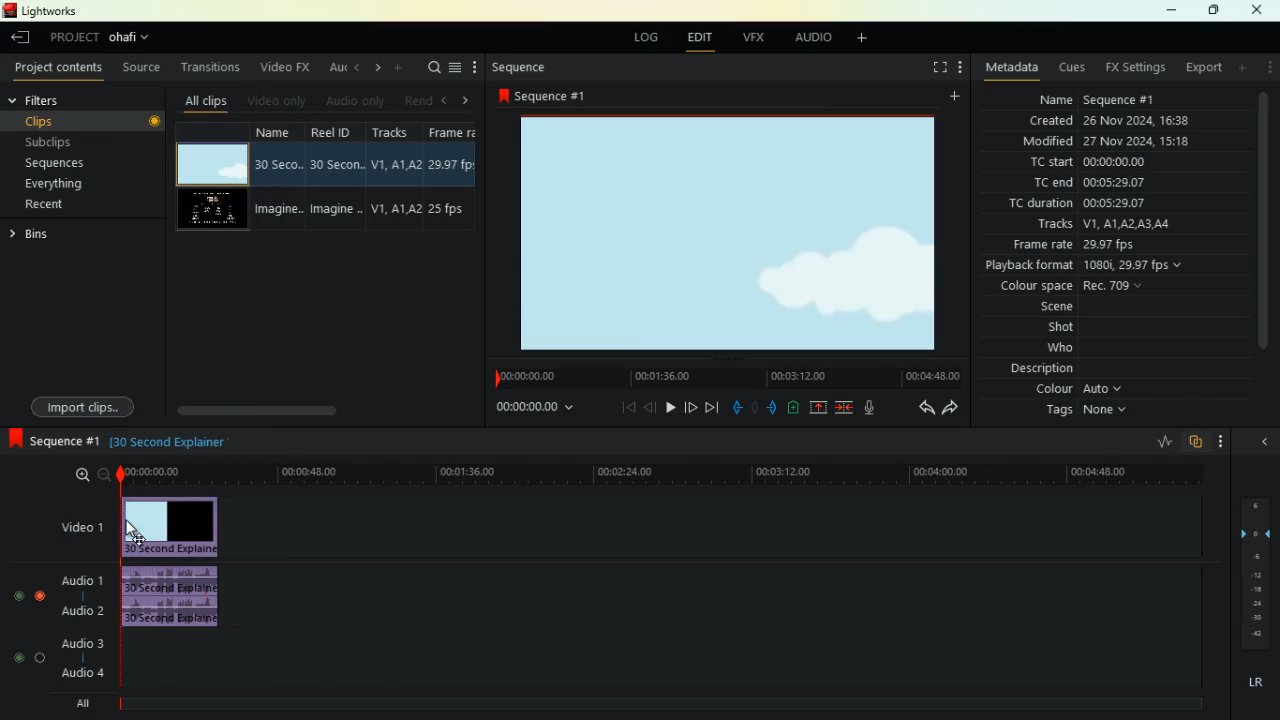 The image size is (1280, 720). I want to click on subclips, so click(60, 143).